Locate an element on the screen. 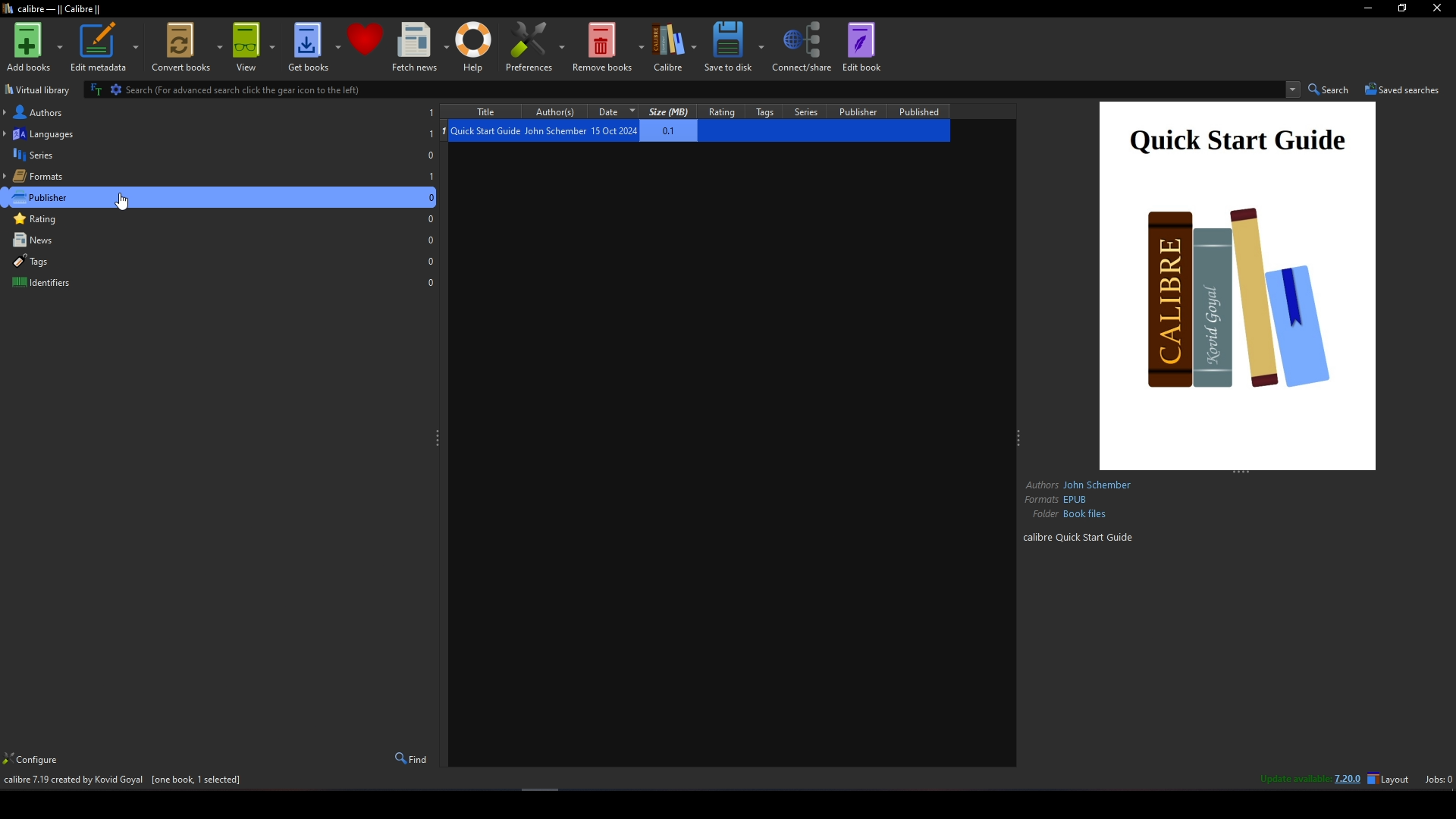 This screenshot has height=819, width=1456. Preferences is located at coordinates (535, 46).